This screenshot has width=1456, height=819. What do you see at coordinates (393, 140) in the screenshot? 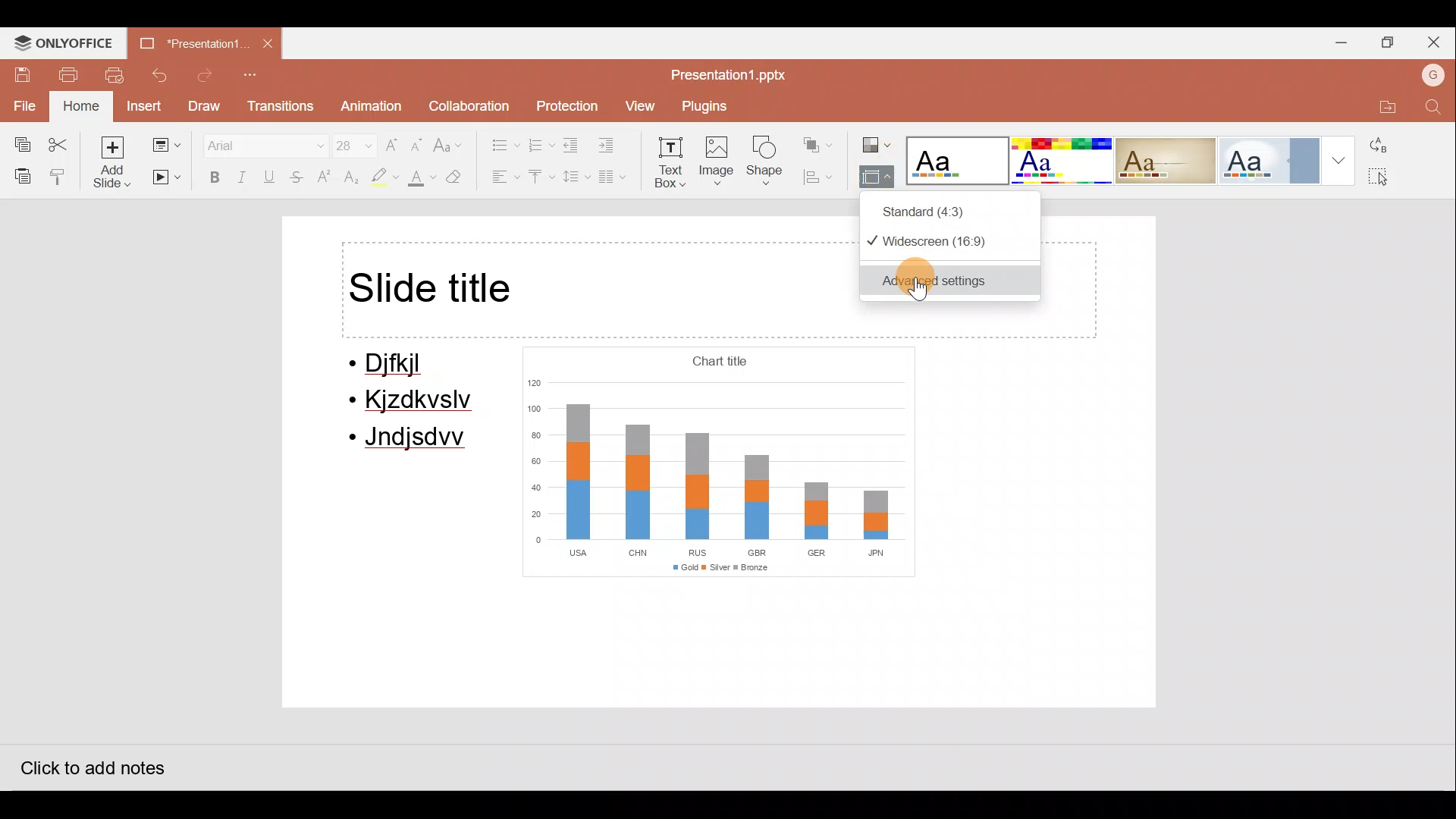
I see `Increase font size` at bounding box center [393, 140].